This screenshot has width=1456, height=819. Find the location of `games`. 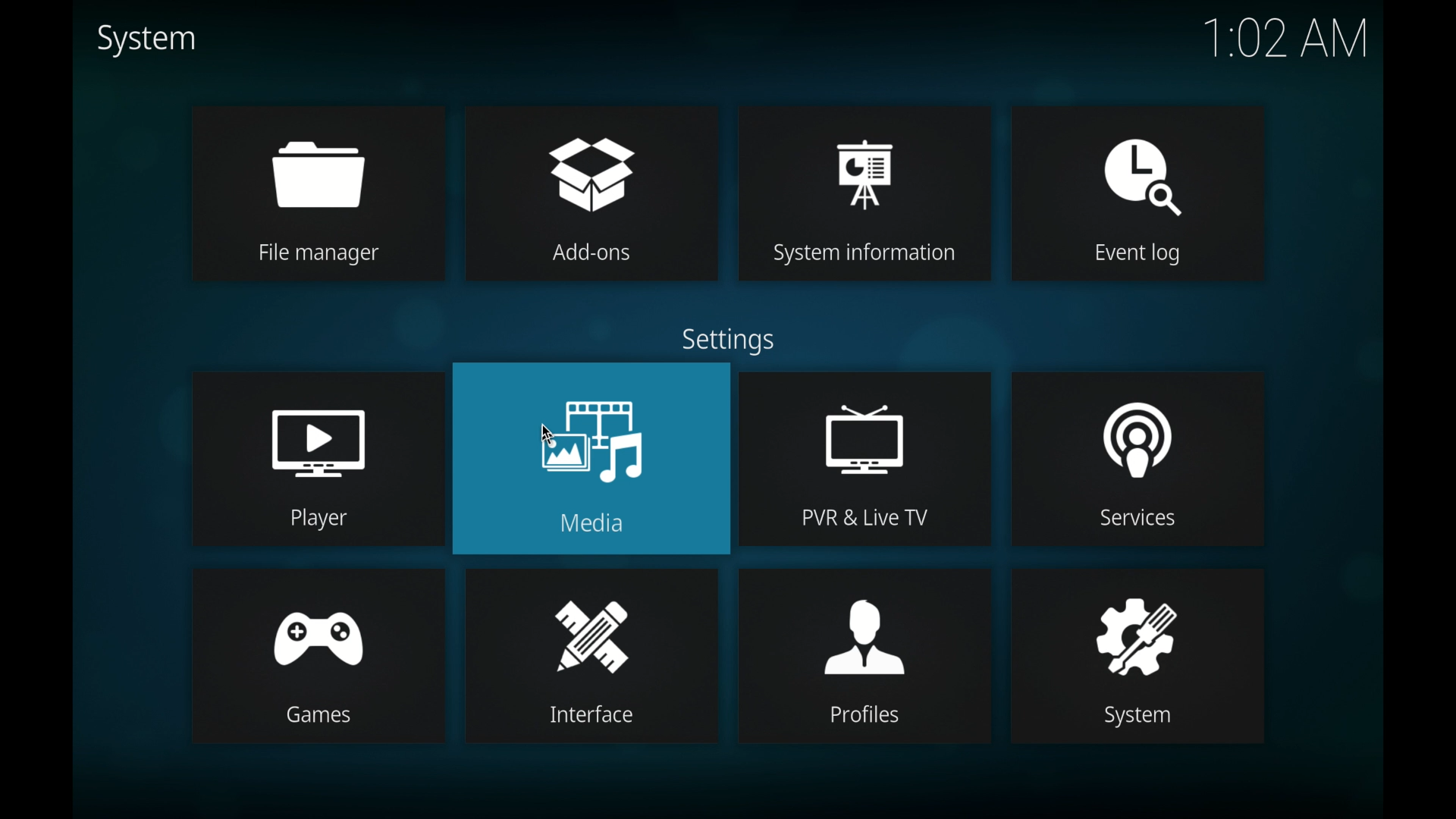

games is located at coordinates (322, 714).